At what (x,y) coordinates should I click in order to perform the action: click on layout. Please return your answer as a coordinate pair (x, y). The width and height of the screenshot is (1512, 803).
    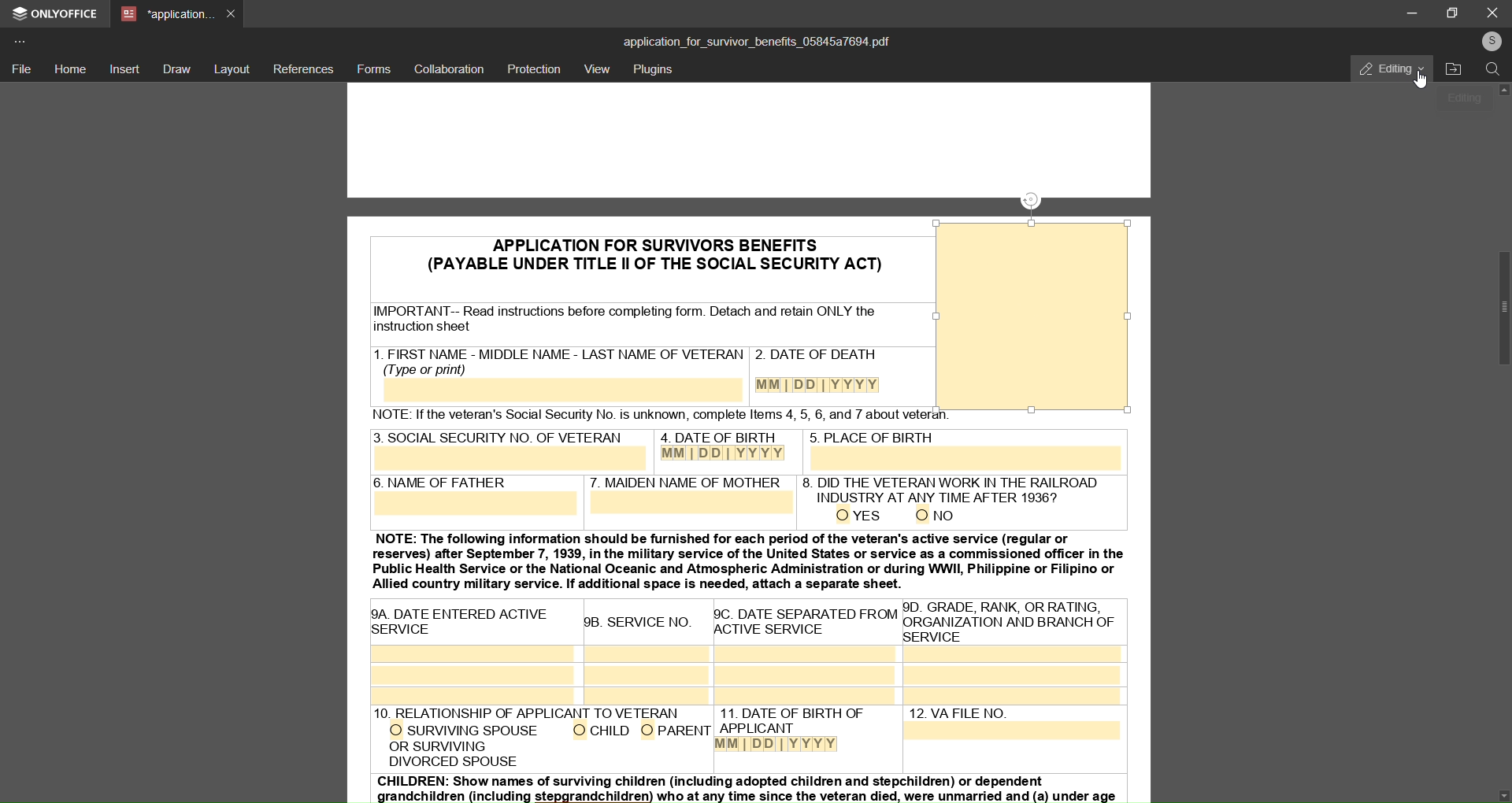
    Looking at the image, I should click on (233, 68).